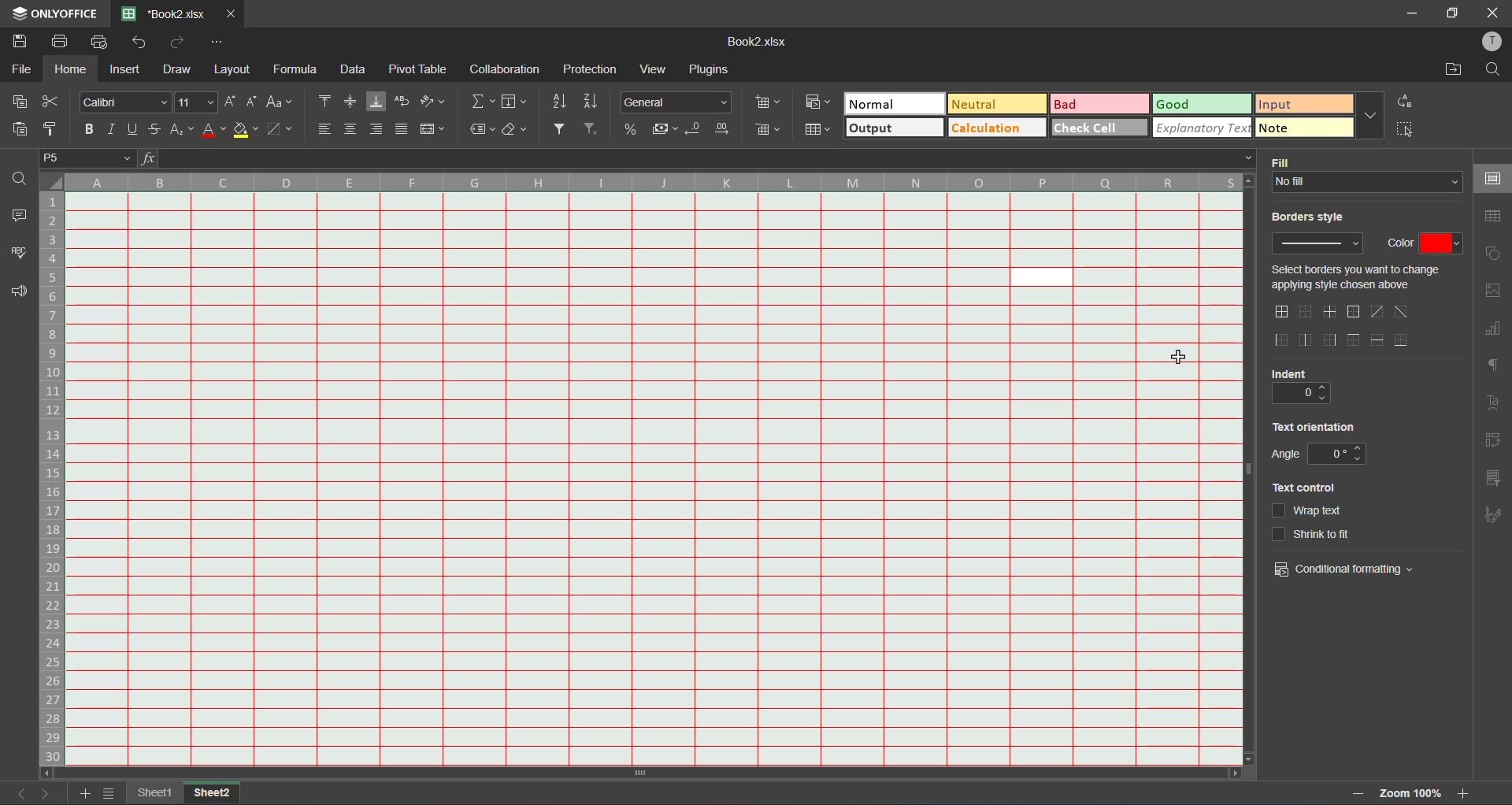  I want to click on column names, so click(661, 180).